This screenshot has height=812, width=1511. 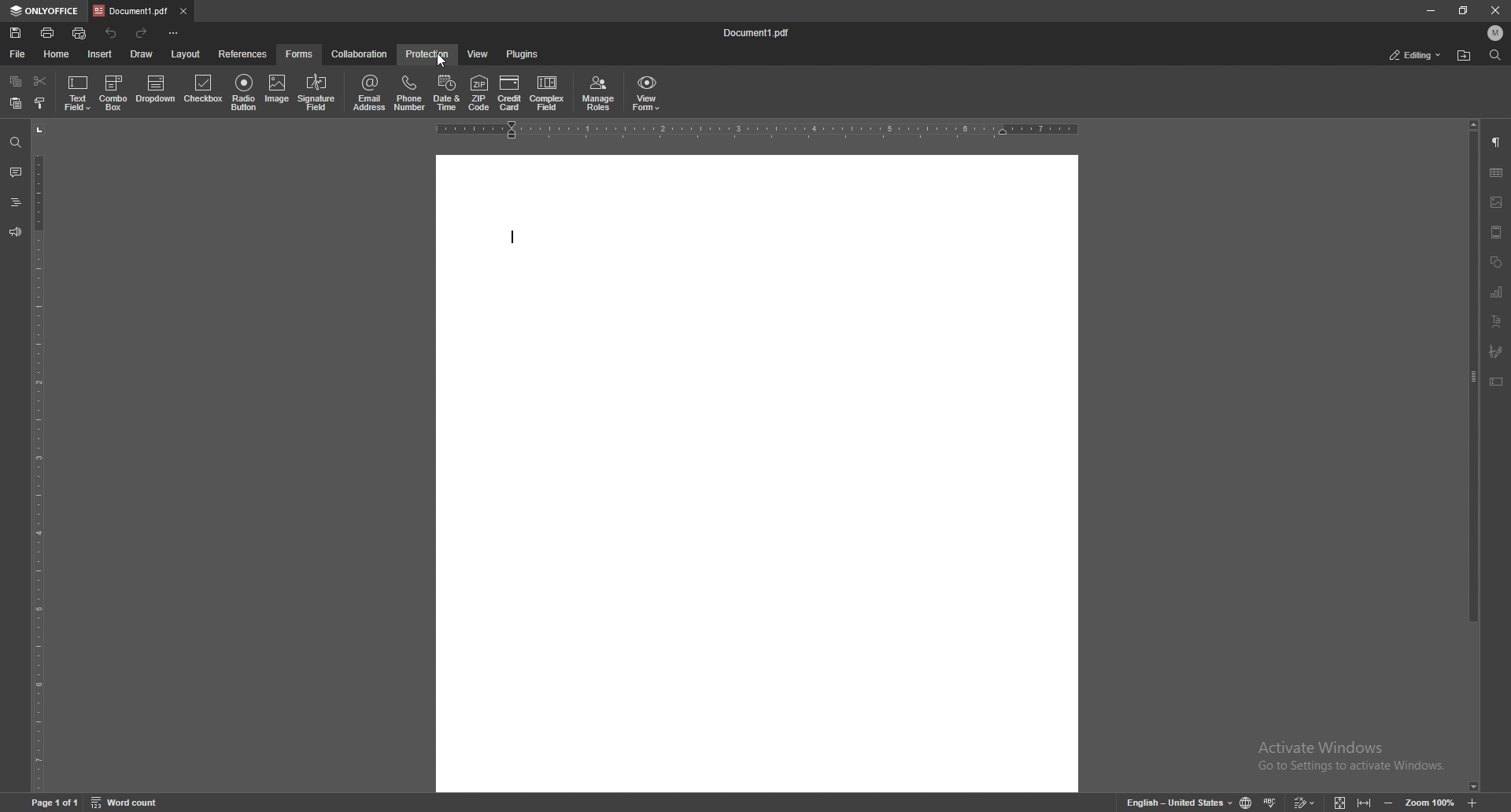 What do you see at coordinates (1465, 55) in the screenshot?
I see `locate file` at bounding box center [1465, 55].